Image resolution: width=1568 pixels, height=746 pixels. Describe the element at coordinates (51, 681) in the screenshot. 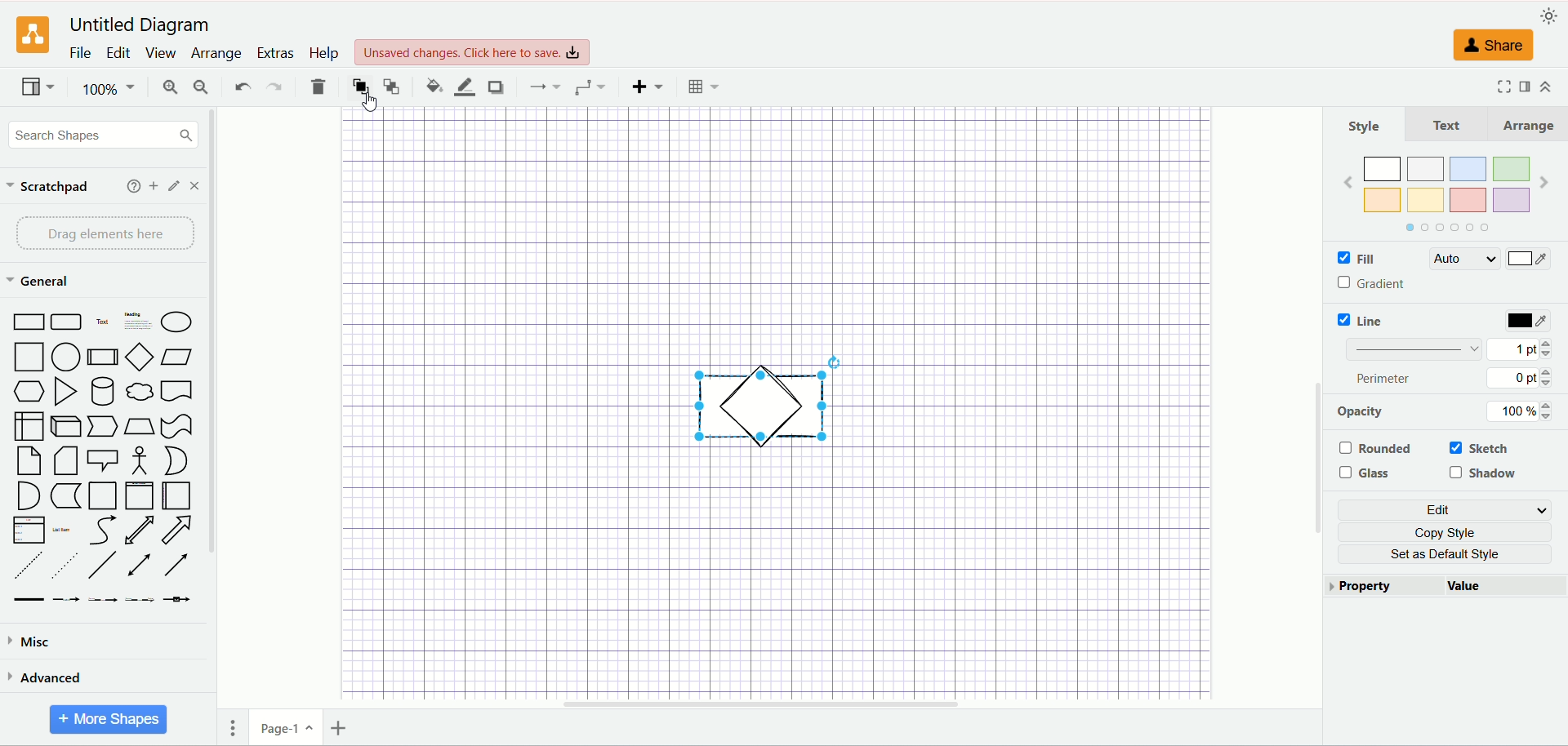

I see `advanced` at that location.